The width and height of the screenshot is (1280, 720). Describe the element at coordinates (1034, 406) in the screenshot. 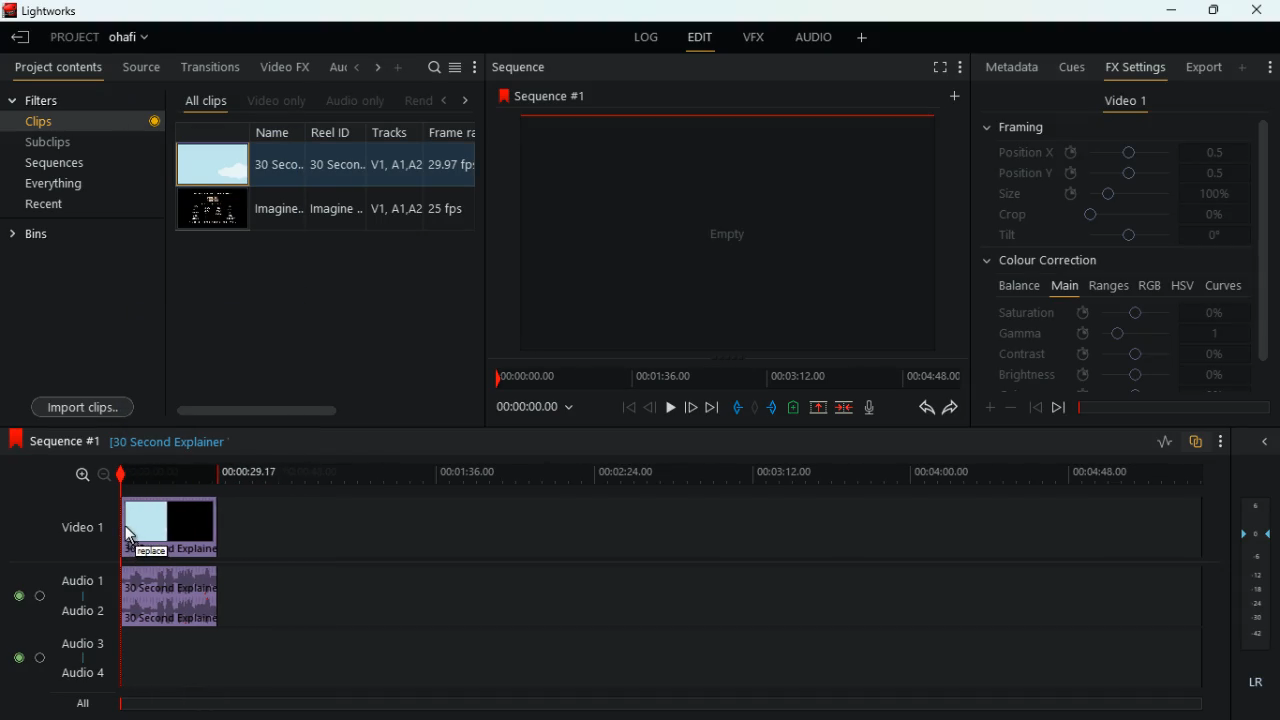

I see `back` at that location.